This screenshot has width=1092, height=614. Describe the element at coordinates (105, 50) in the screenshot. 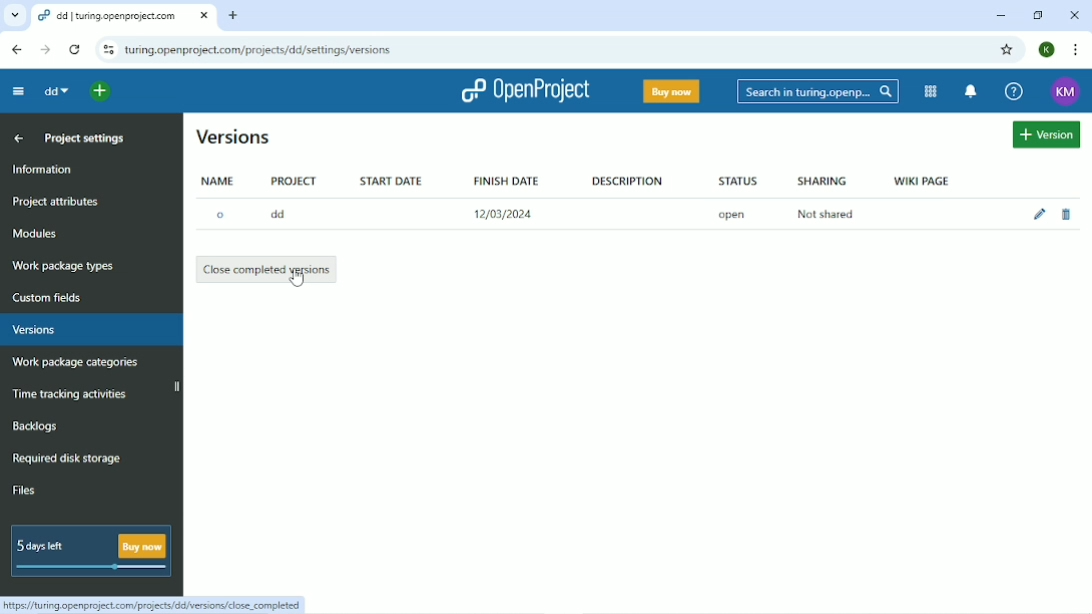

I see `reload` at that location.